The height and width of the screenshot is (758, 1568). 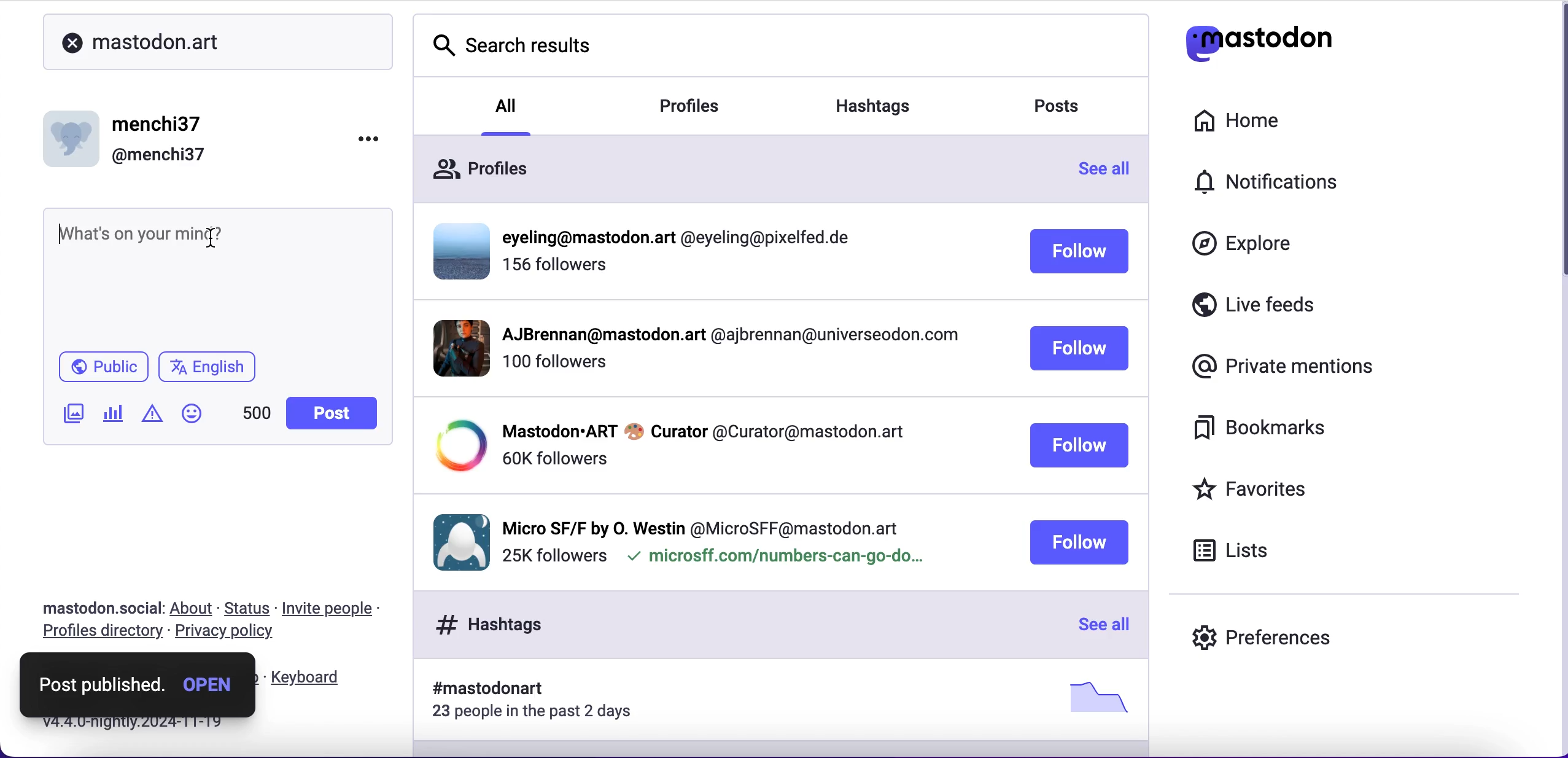 What do you see at coordinates (540, 714) in the screenshot?
I see `23 people in the past 2 days` at bounding box center [540, 714].